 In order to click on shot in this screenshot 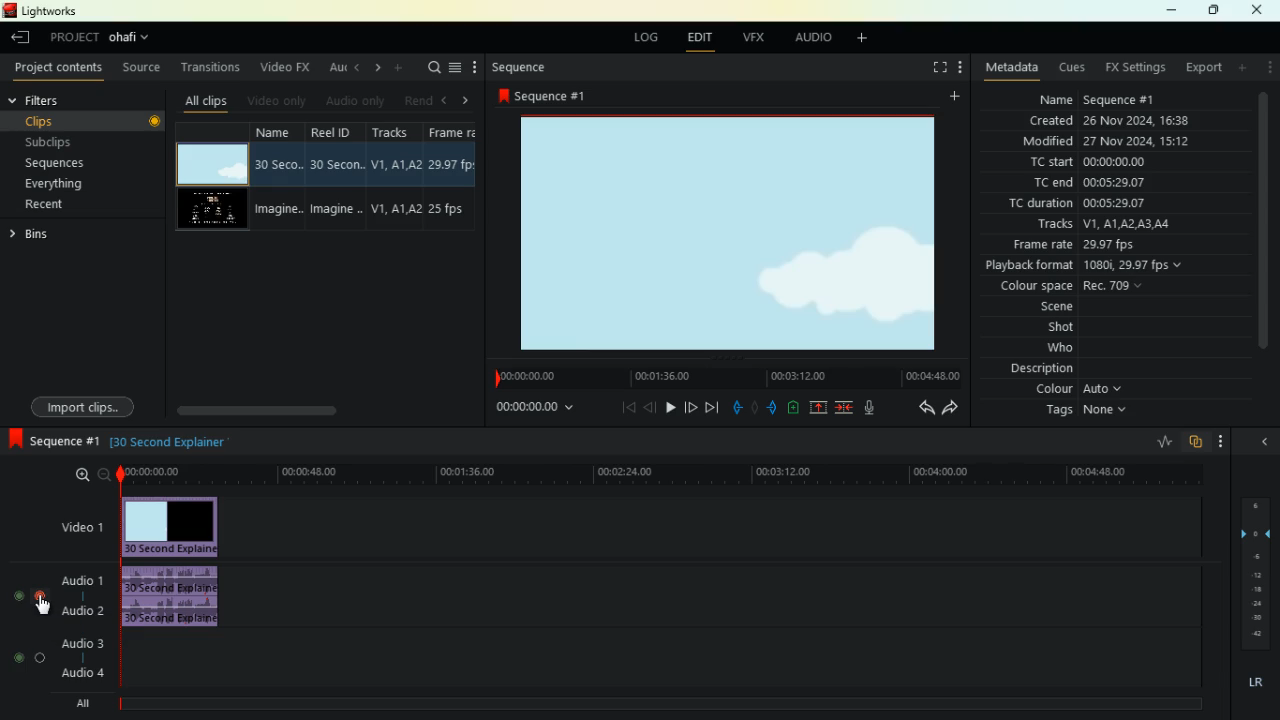, I will do `click(1066, 328)`.